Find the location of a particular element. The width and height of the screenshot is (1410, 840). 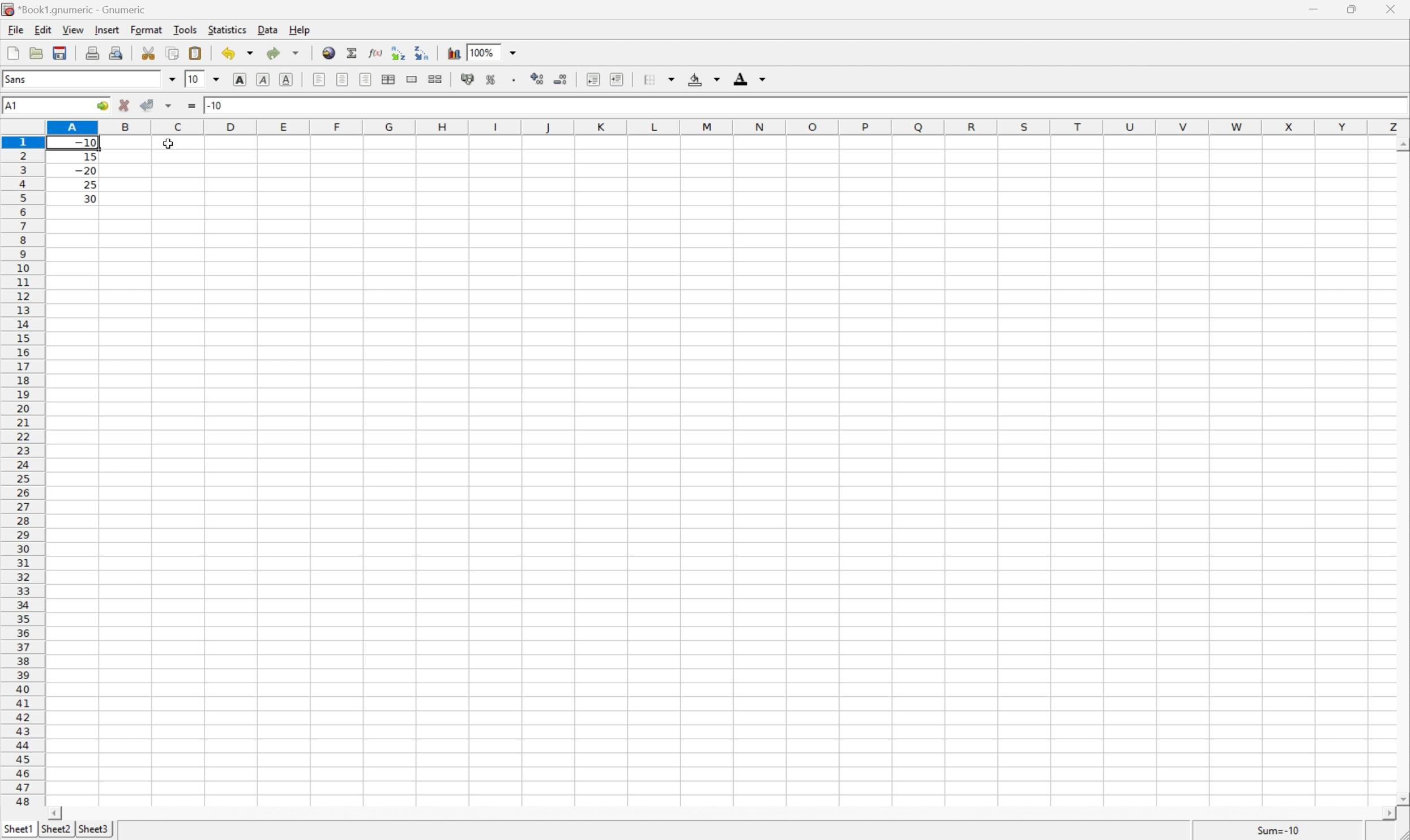

Edit is located at coordinates (44, 28).